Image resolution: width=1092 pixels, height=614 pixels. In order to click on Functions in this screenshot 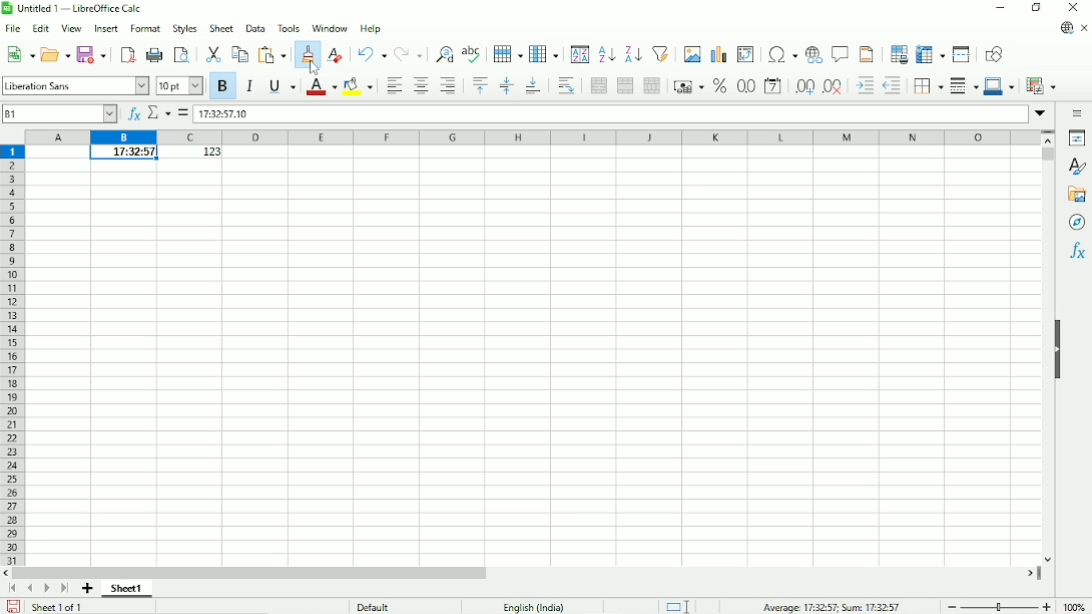, I will do `click(1076, 252)`.